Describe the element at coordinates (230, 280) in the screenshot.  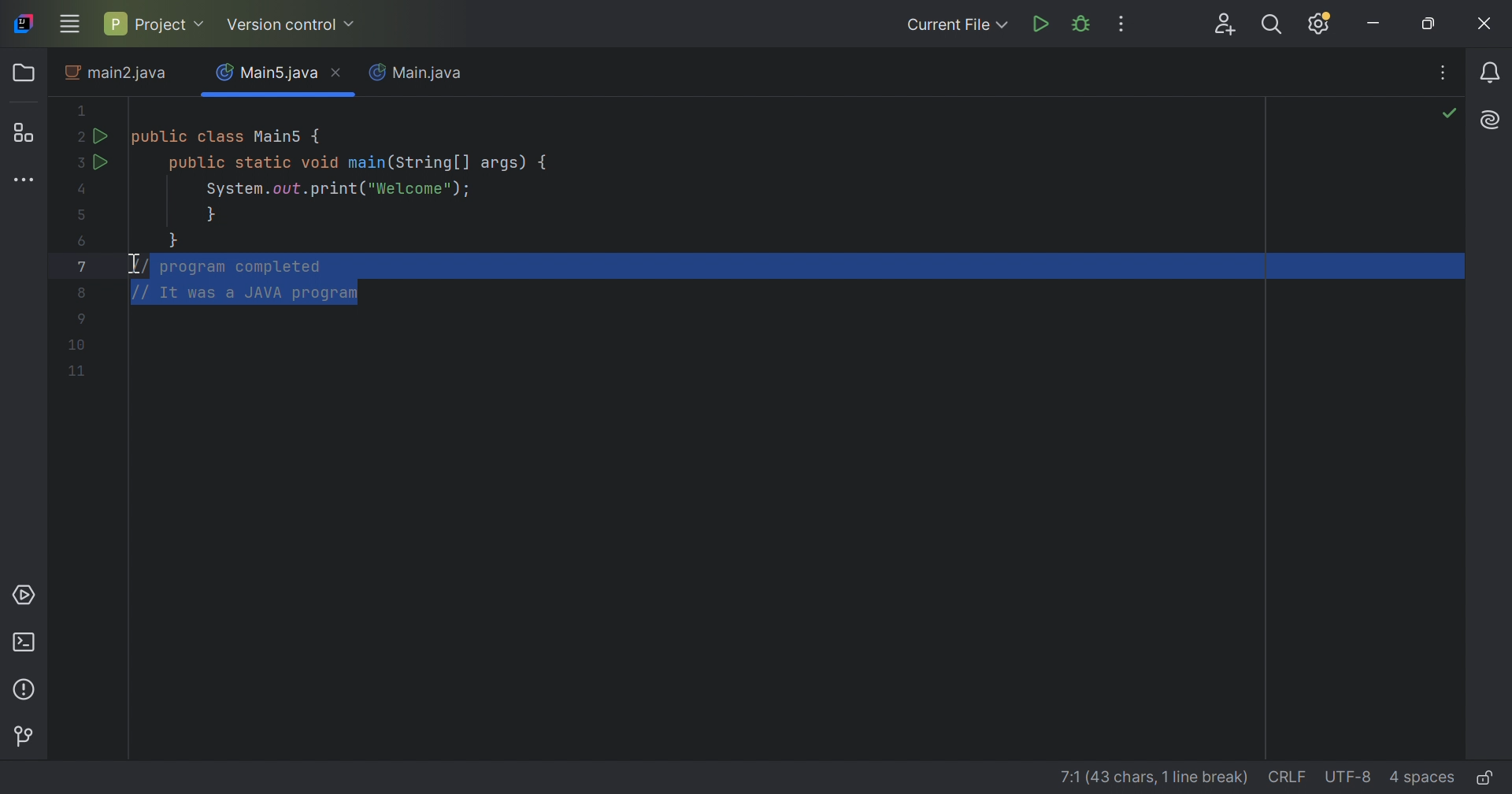
I see `Selected lines commented again` at that location.